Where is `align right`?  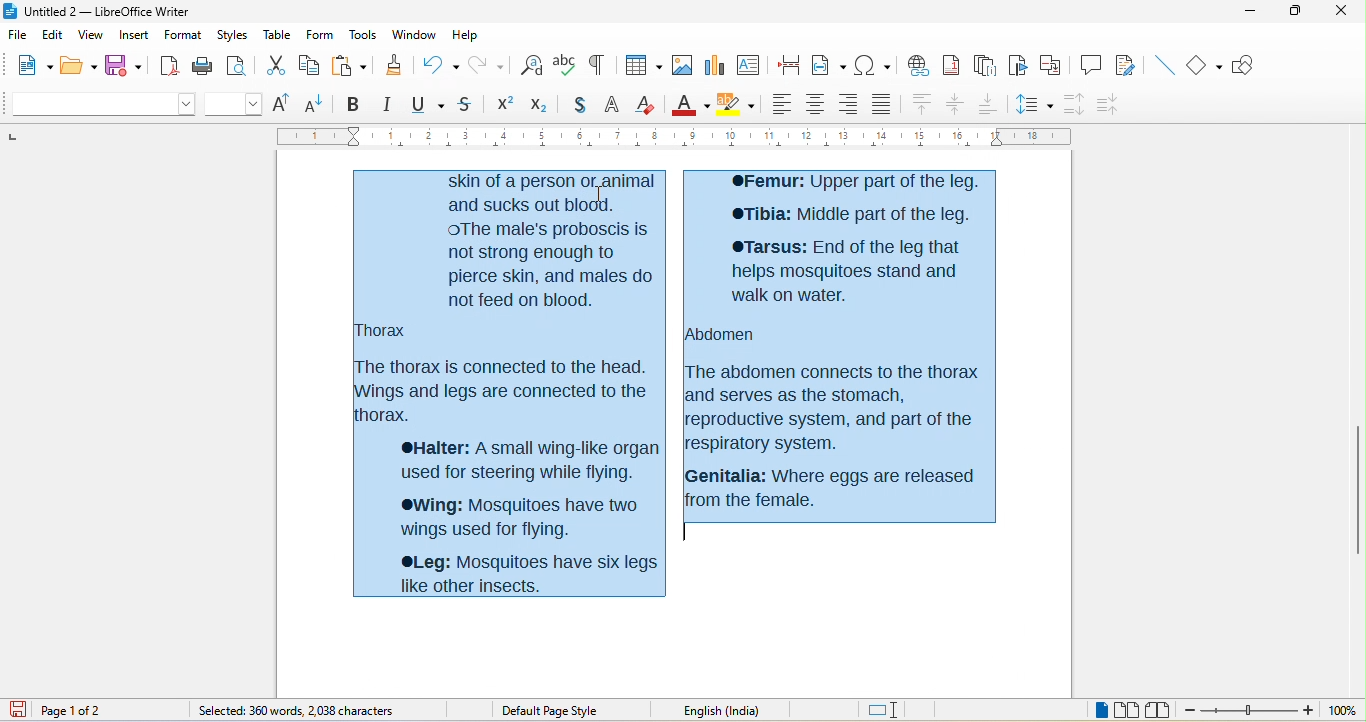 align right is located at coordinates (848, 104).